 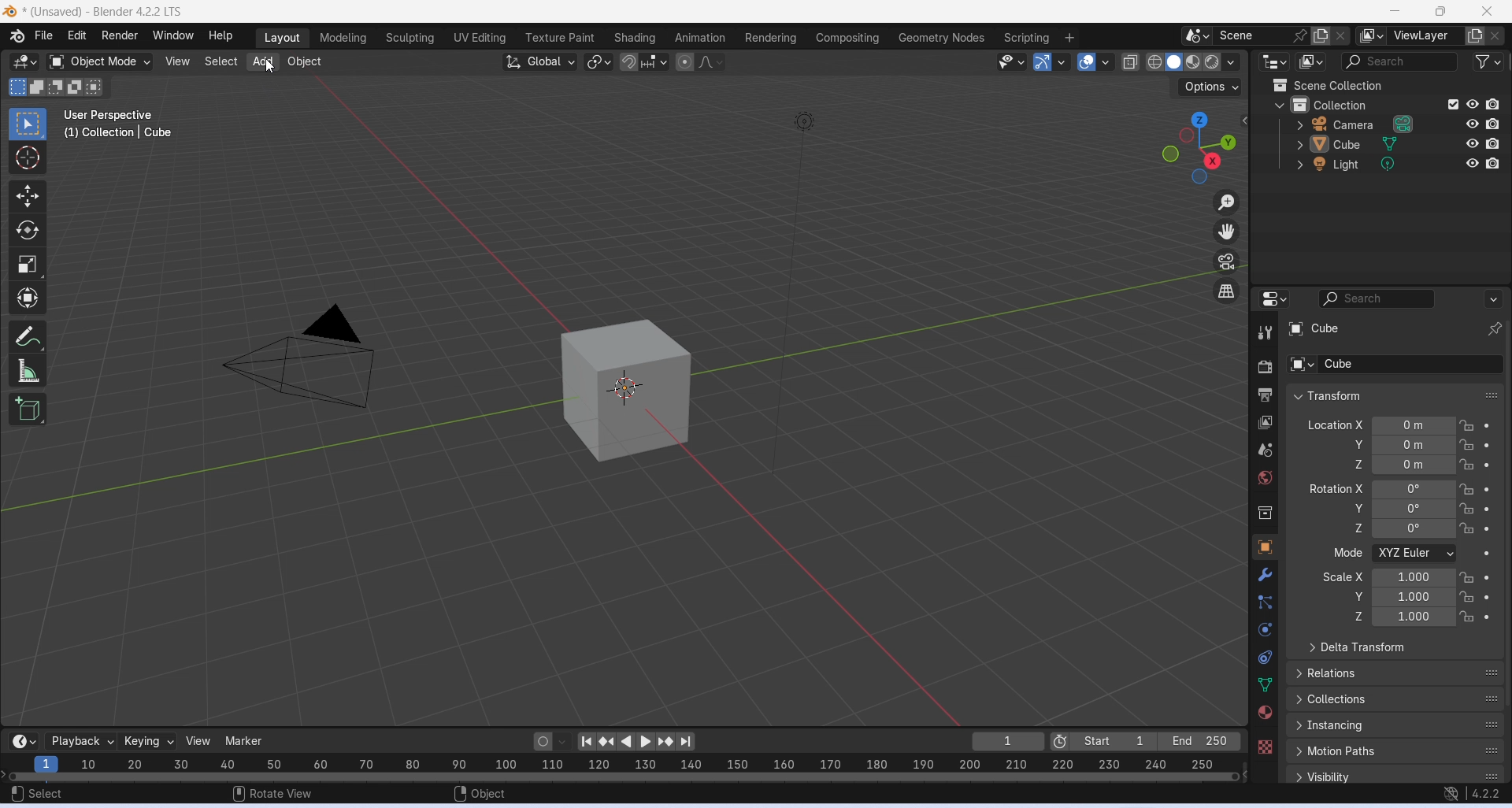 What do you see at coordinates (1266, 684) in the screenshot?
I see `data` at bounding box center [1266, 684].